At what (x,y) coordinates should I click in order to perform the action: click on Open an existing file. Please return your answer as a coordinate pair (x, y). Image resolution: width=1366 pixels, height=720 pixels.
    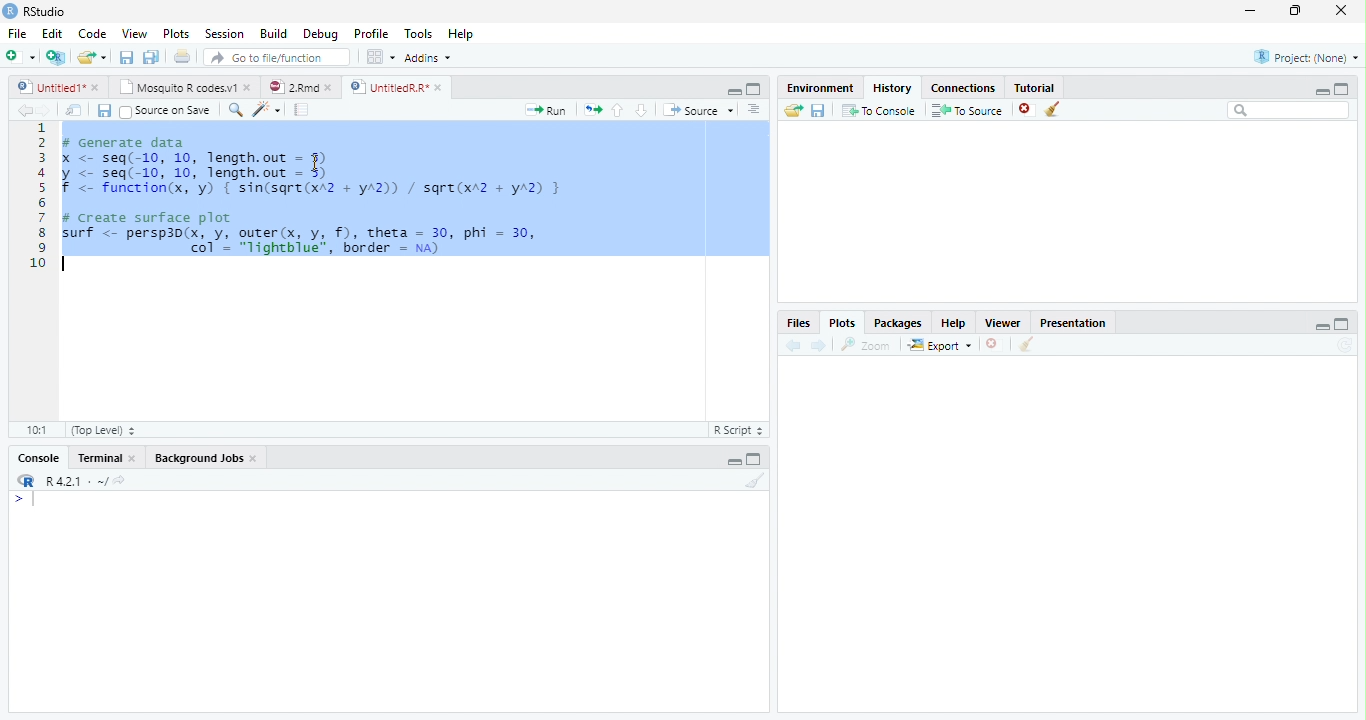
    Looking at the image, I should click on (84, 57).